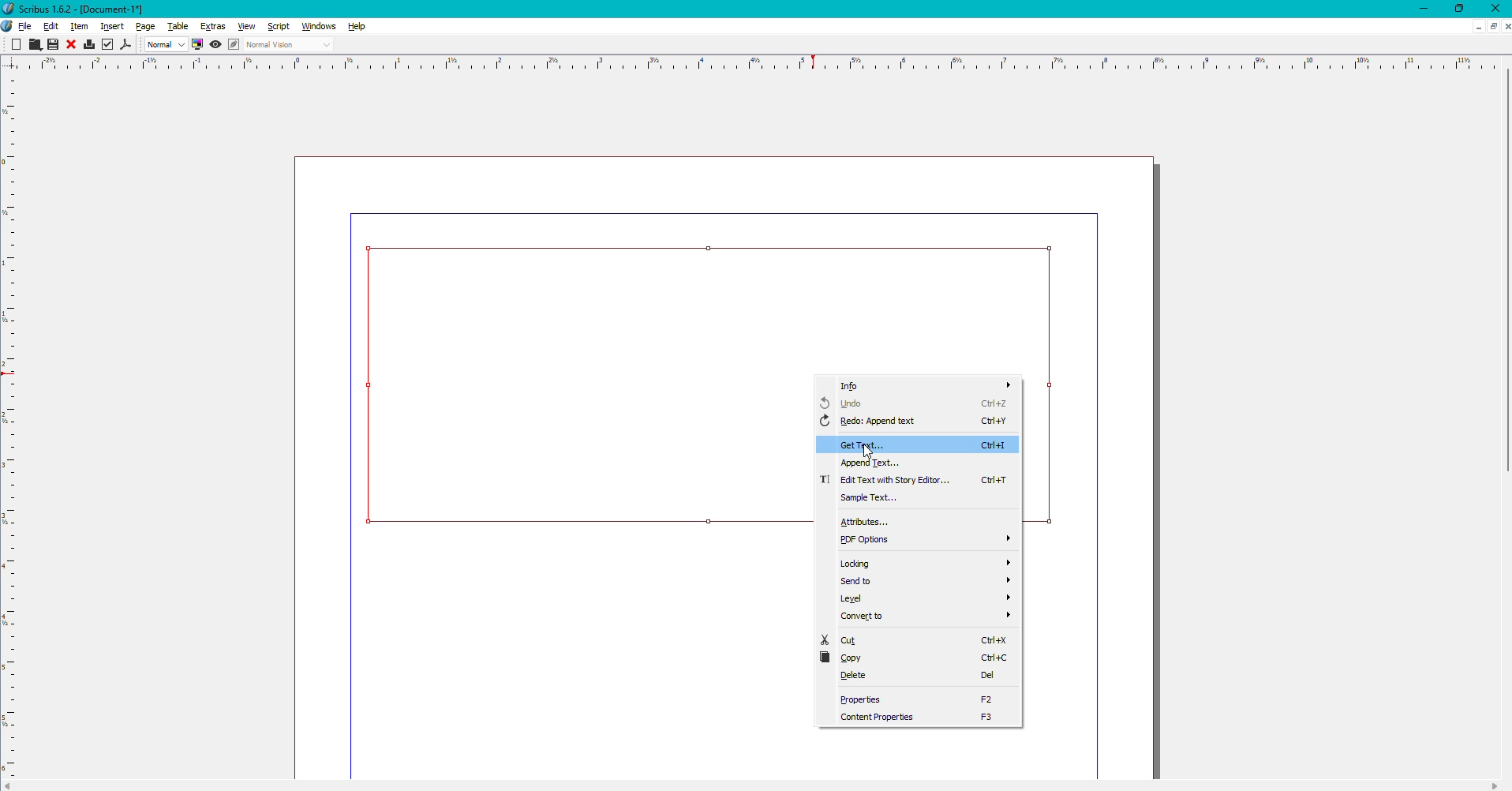  What do you see at coordinates (355, 27) in the screenshot?
I see `Help` at bounding box center [355, 27].